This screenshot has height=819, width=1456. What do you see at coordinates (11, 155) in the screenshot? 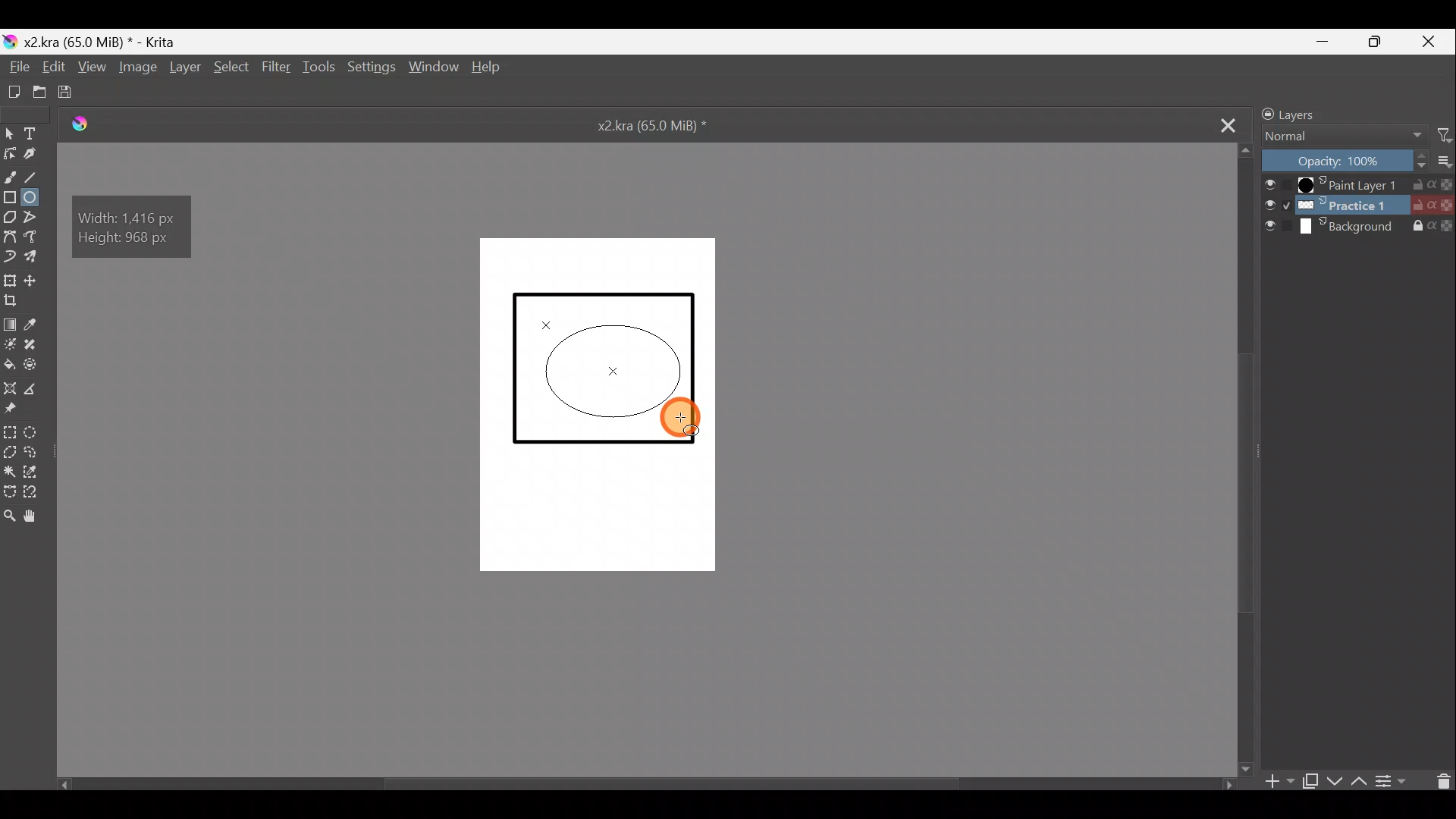
I see `Edit shapes tool` at bounding box center [11, 155].